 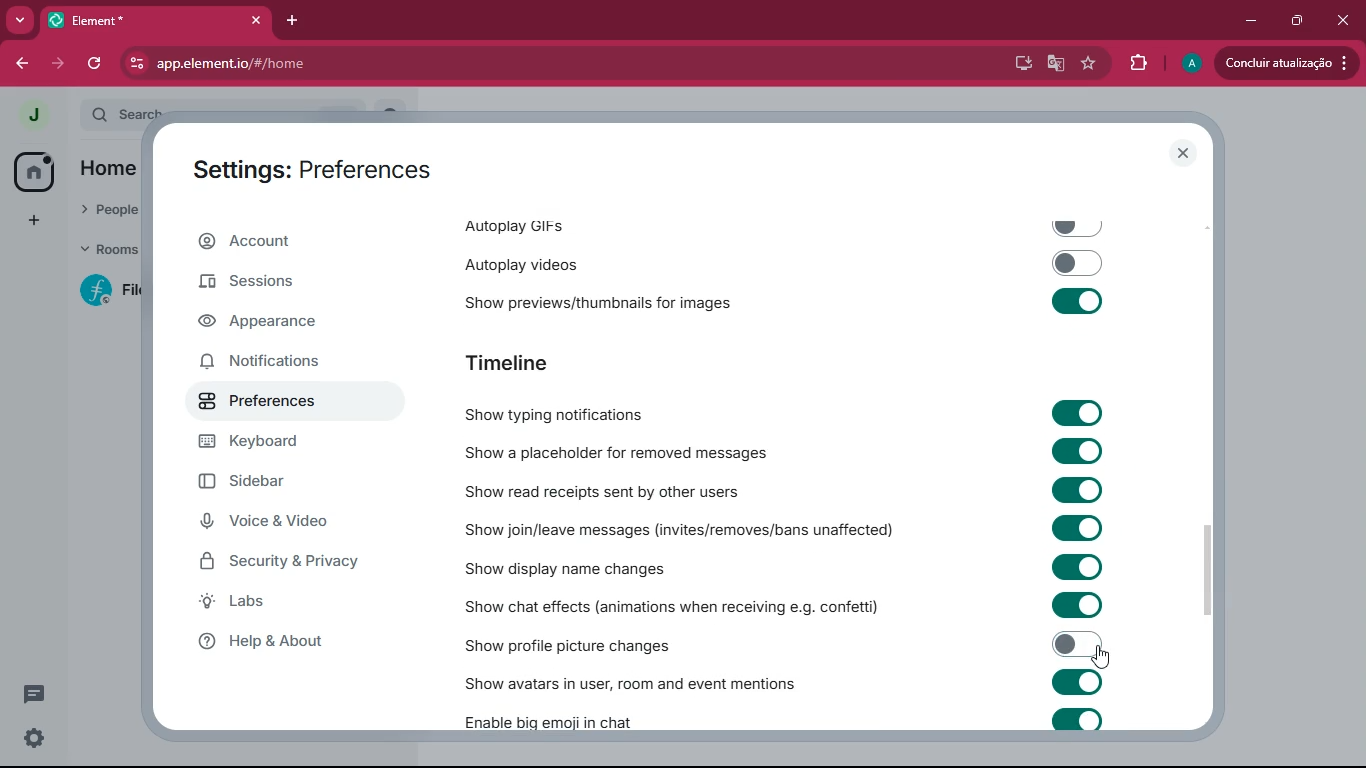 I want to click on extensions, so click(x=1138, y=63).